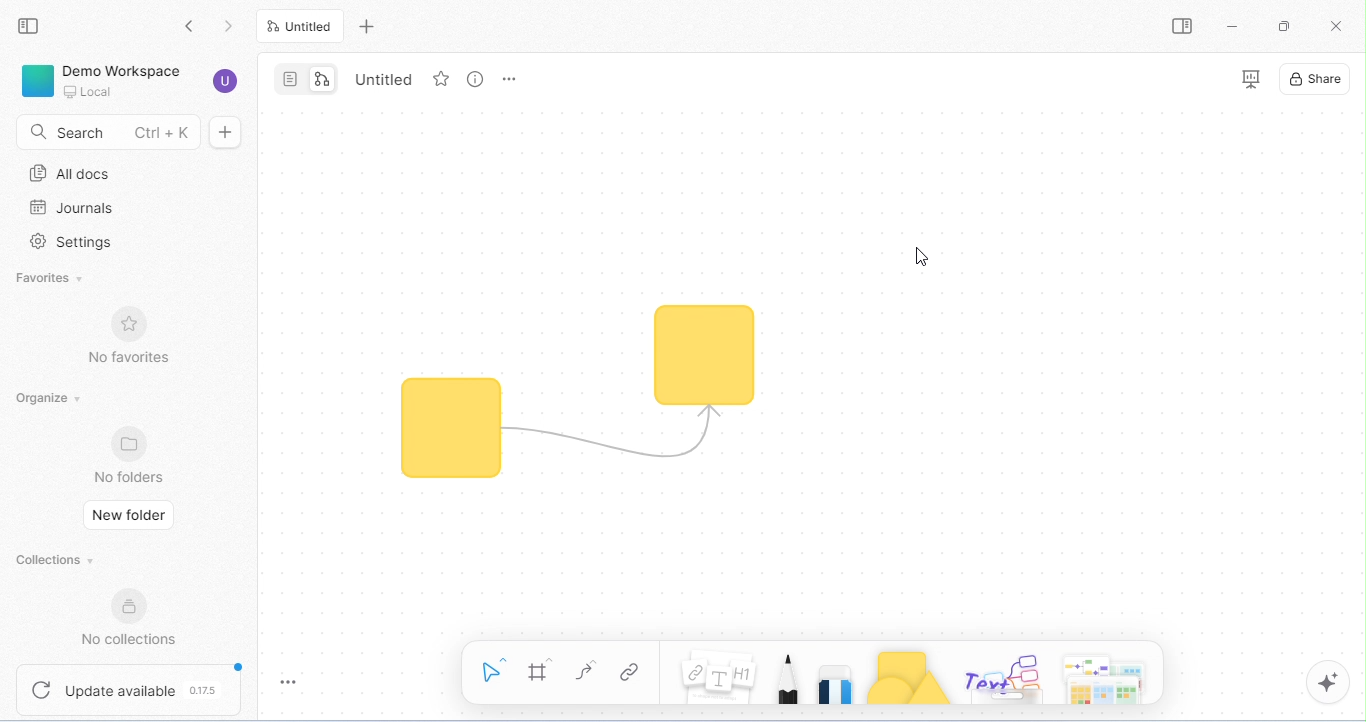  Describe the element at coordinates (1328, 681) in the screenshot. I see `AI assistant` at that location.